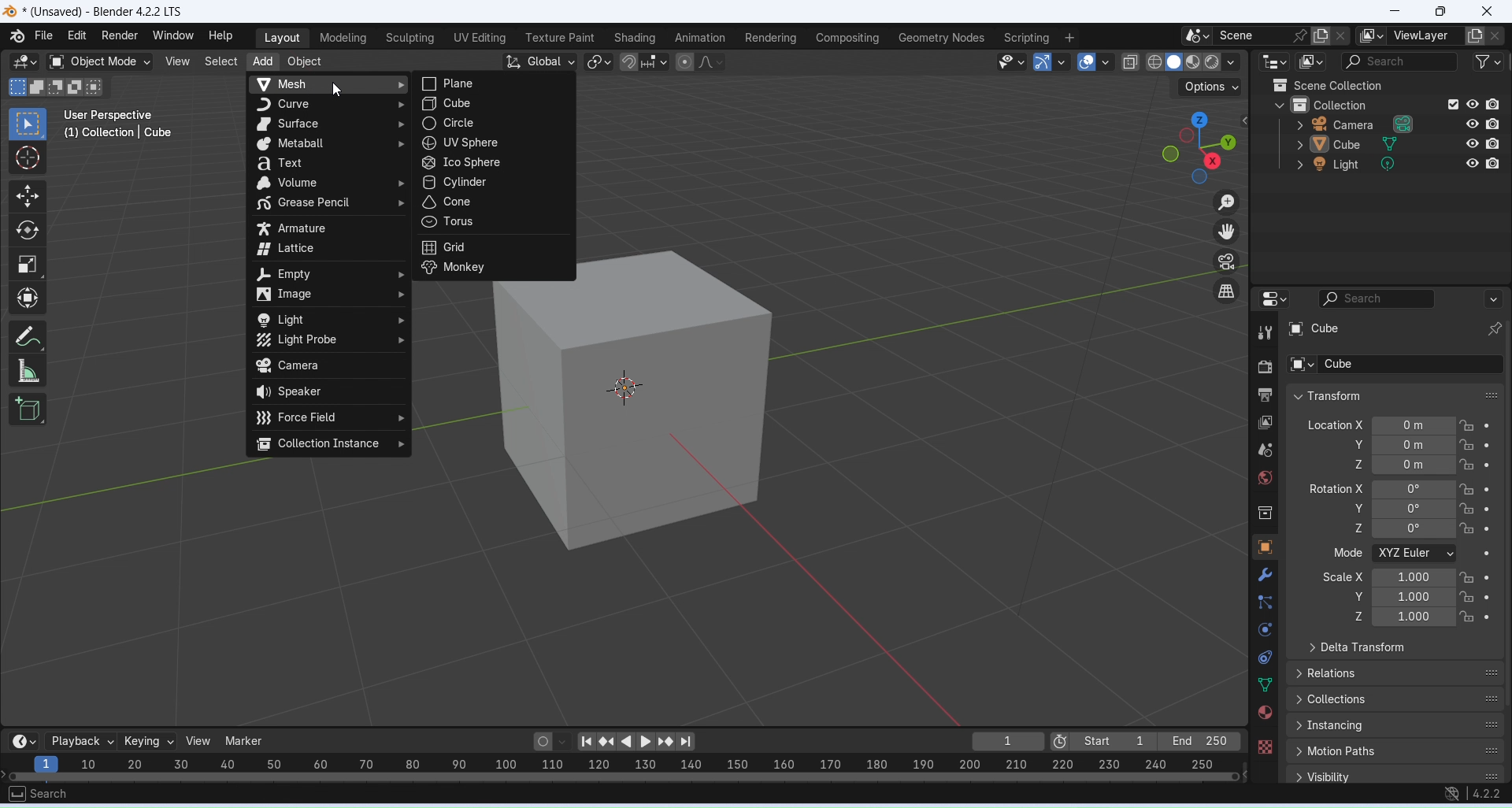  What do you see at coordinates (1264, 747) in the screenshot?
I see `Texture` at bounding box center [1264, 747].